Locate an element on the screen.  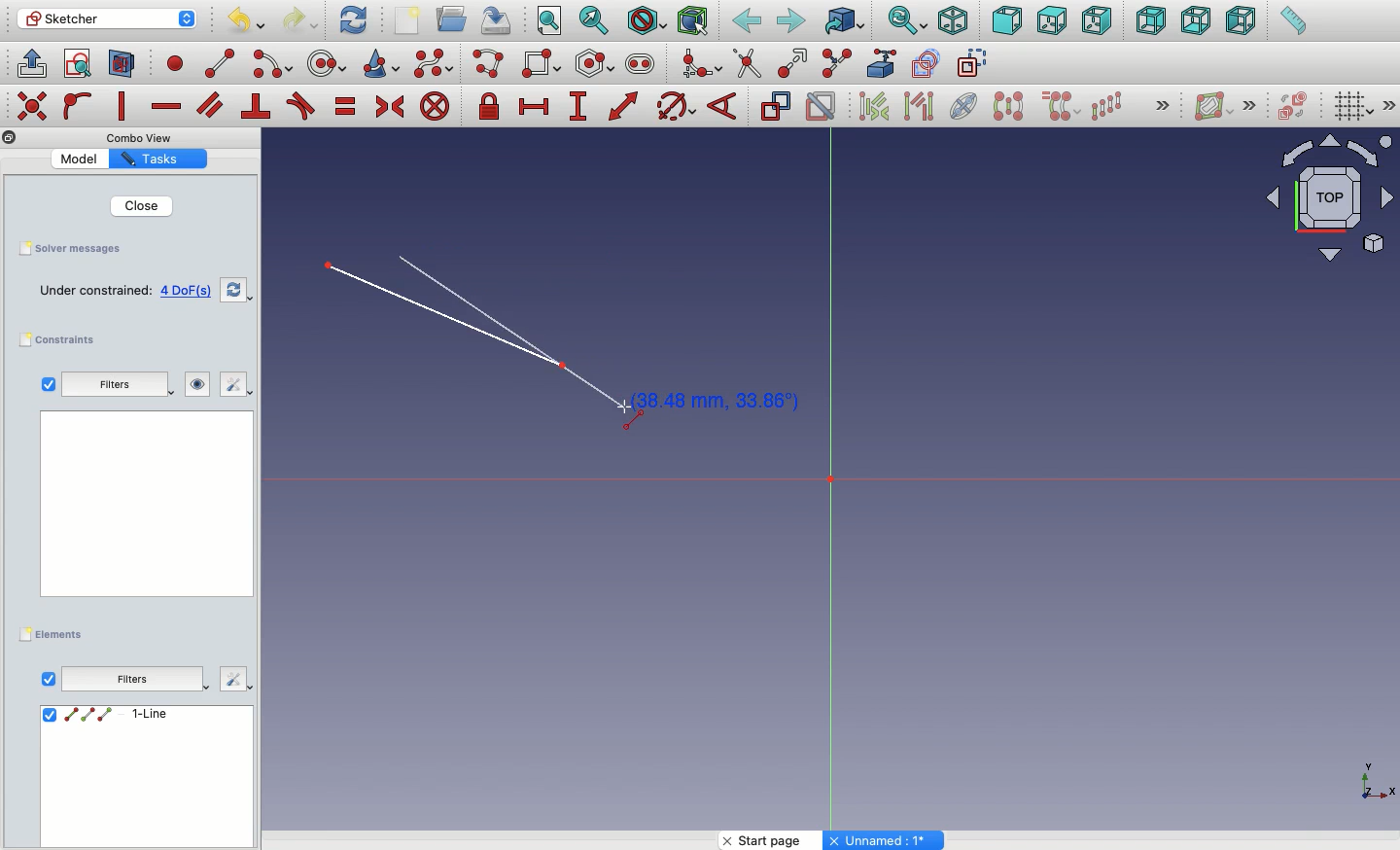
Refresh is located at coordinates (353, 20).